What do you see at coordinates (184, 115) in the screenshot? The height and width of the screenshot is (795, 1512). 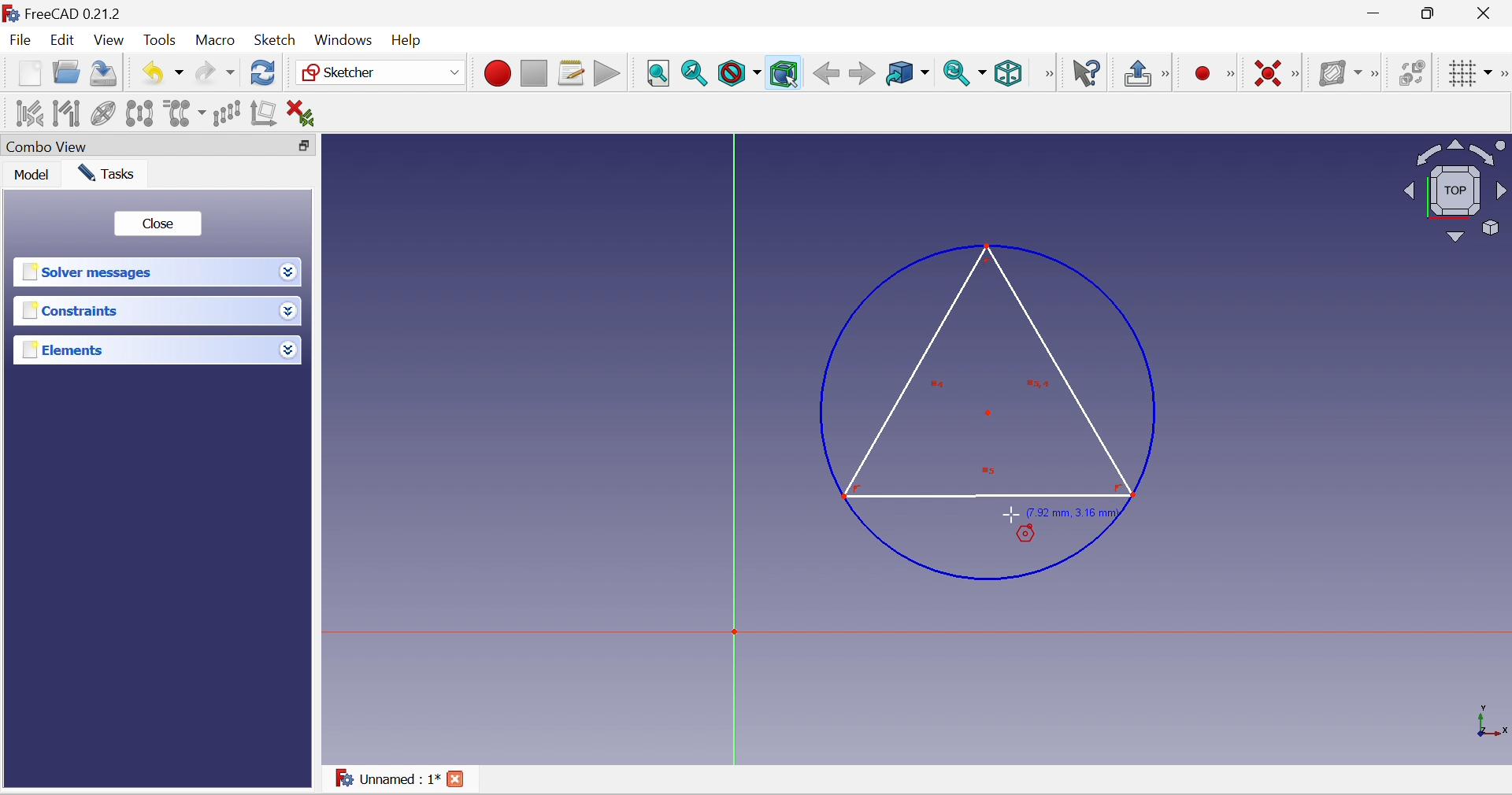 I see `Clone` at bounding box center [184, 115].